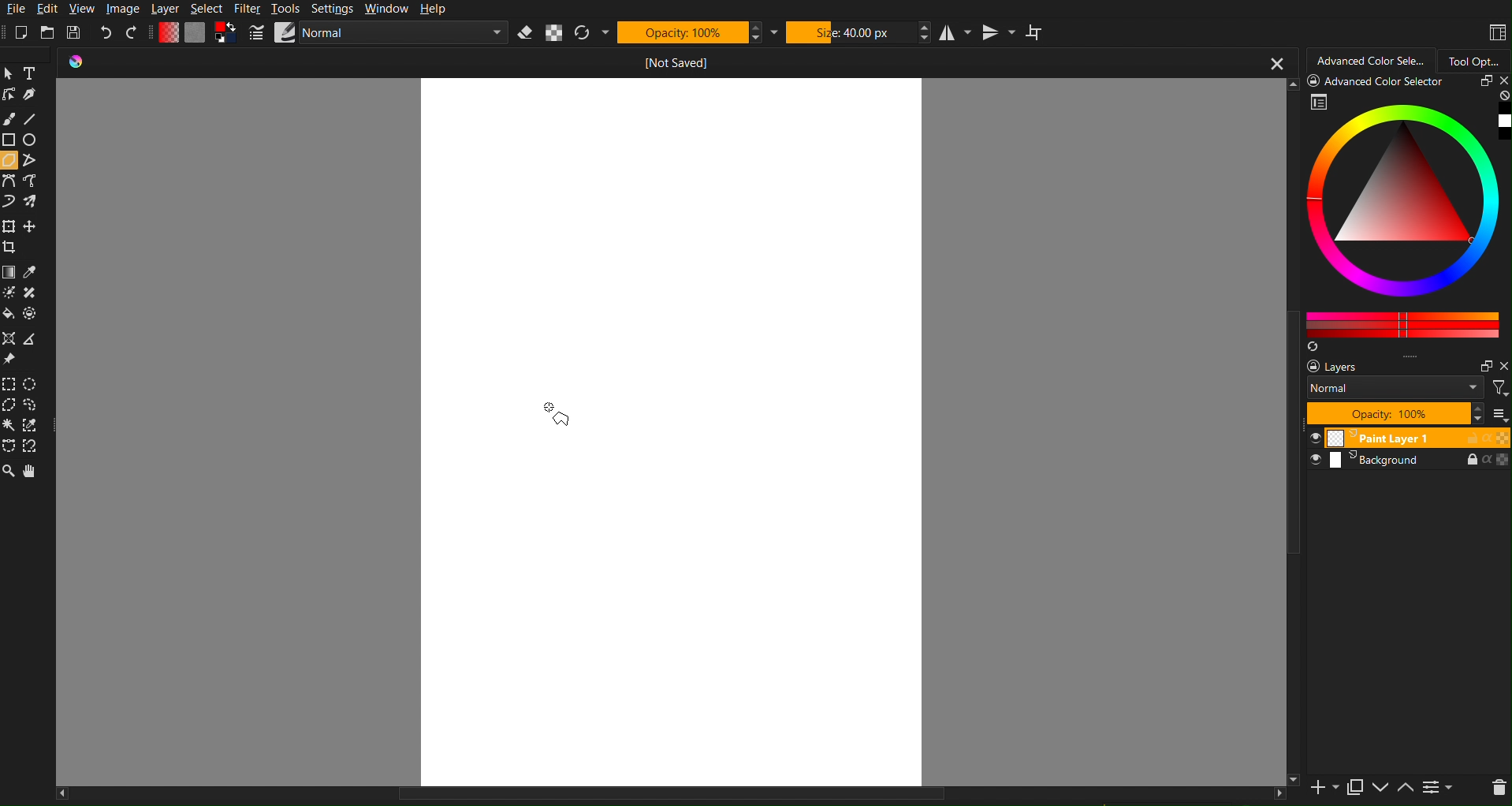 The width and height of the screenshot is (1512, 806). Describe the element at coordinates (9, 338) in the screenshot. I see `assistant tool` at that location.